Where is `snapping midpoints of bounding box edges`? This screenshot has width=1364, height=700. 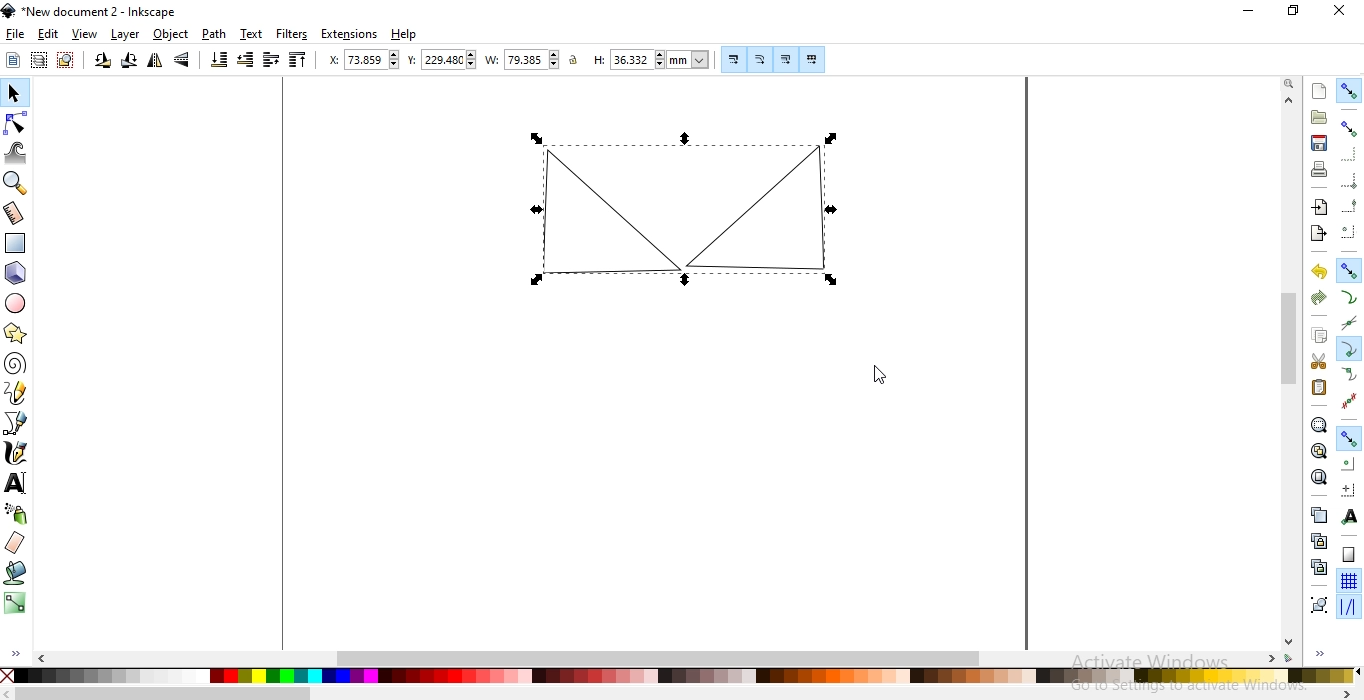 snapping midpoints of bounding box edges is located at coordinates (1349, 204).